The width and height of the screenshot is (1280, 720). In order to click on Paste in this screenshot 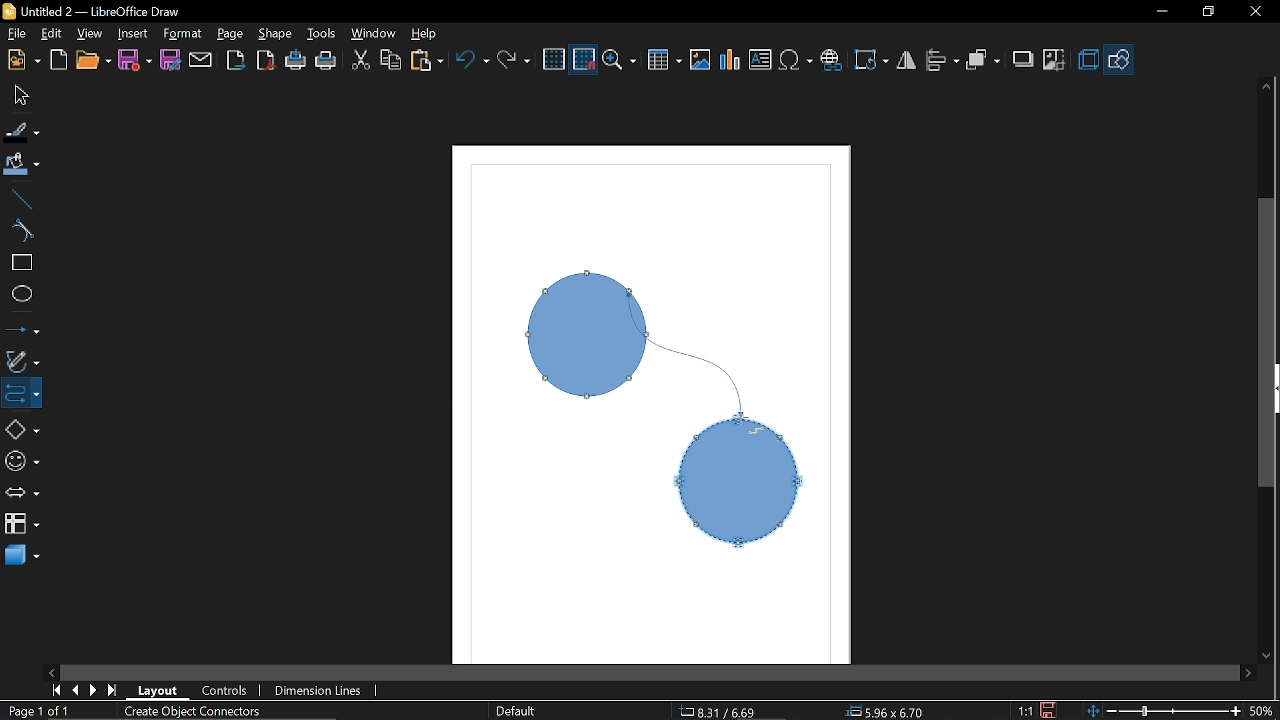, I will do `click(427, 59)`.